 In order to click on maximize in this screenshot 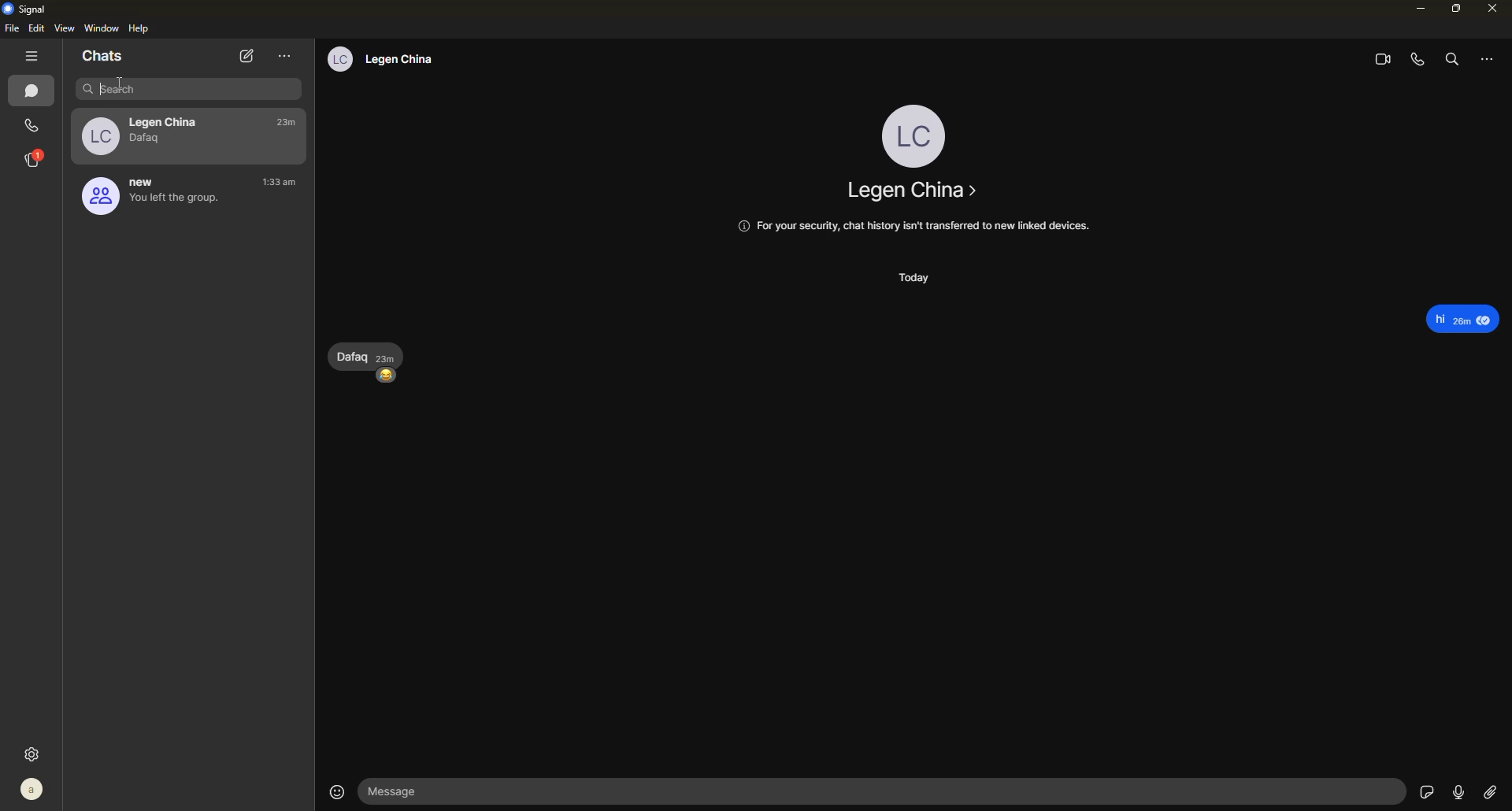, I will do `click(1458, 12)`.